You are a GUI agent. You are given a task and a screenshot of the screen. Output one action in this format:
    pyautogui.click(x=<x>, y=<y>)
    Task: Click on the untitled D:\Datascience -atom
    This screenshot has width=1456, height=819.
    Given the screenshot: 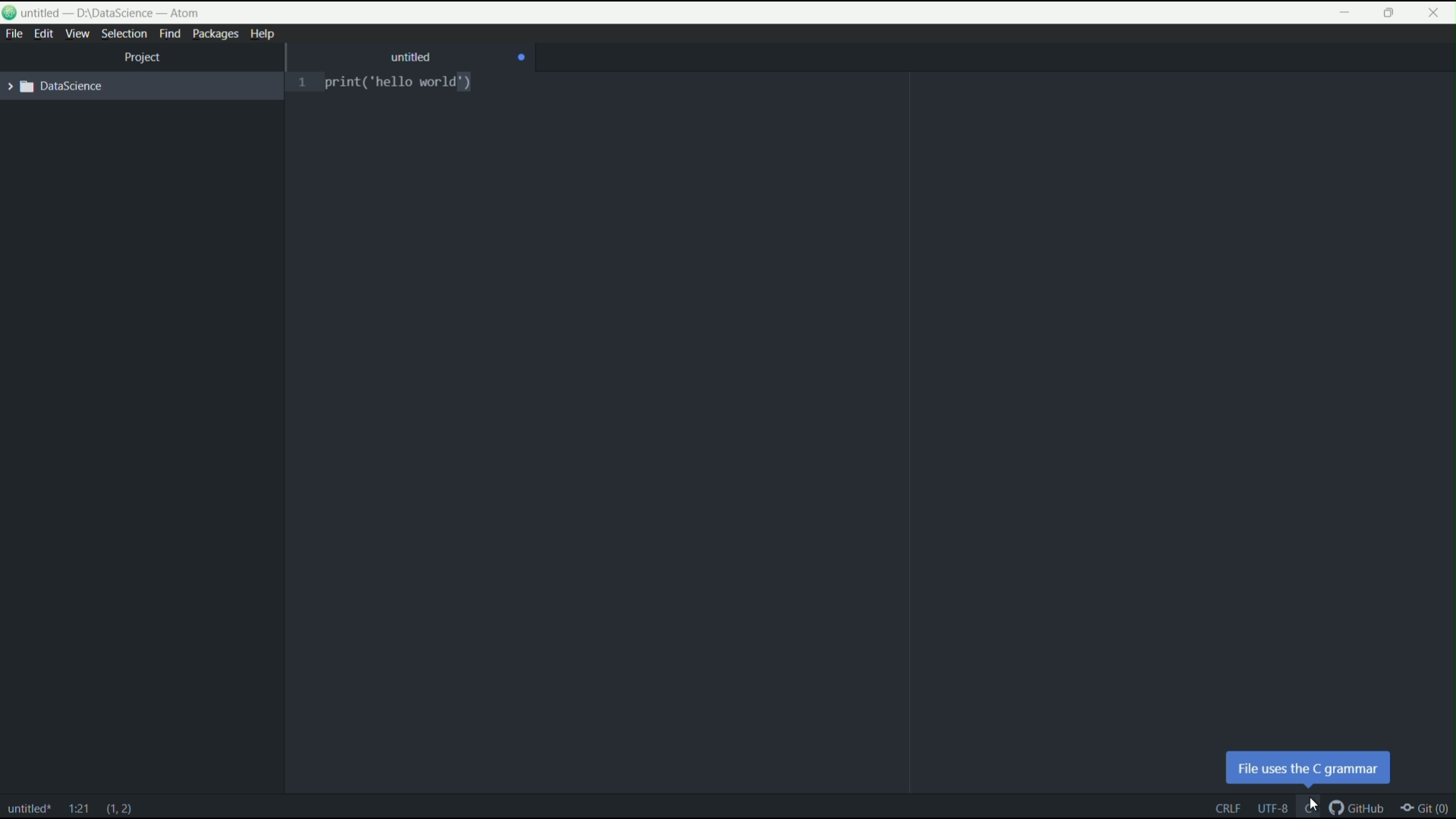 What is the action you would take?
    pyautogui.click(x=114, y=13)
    